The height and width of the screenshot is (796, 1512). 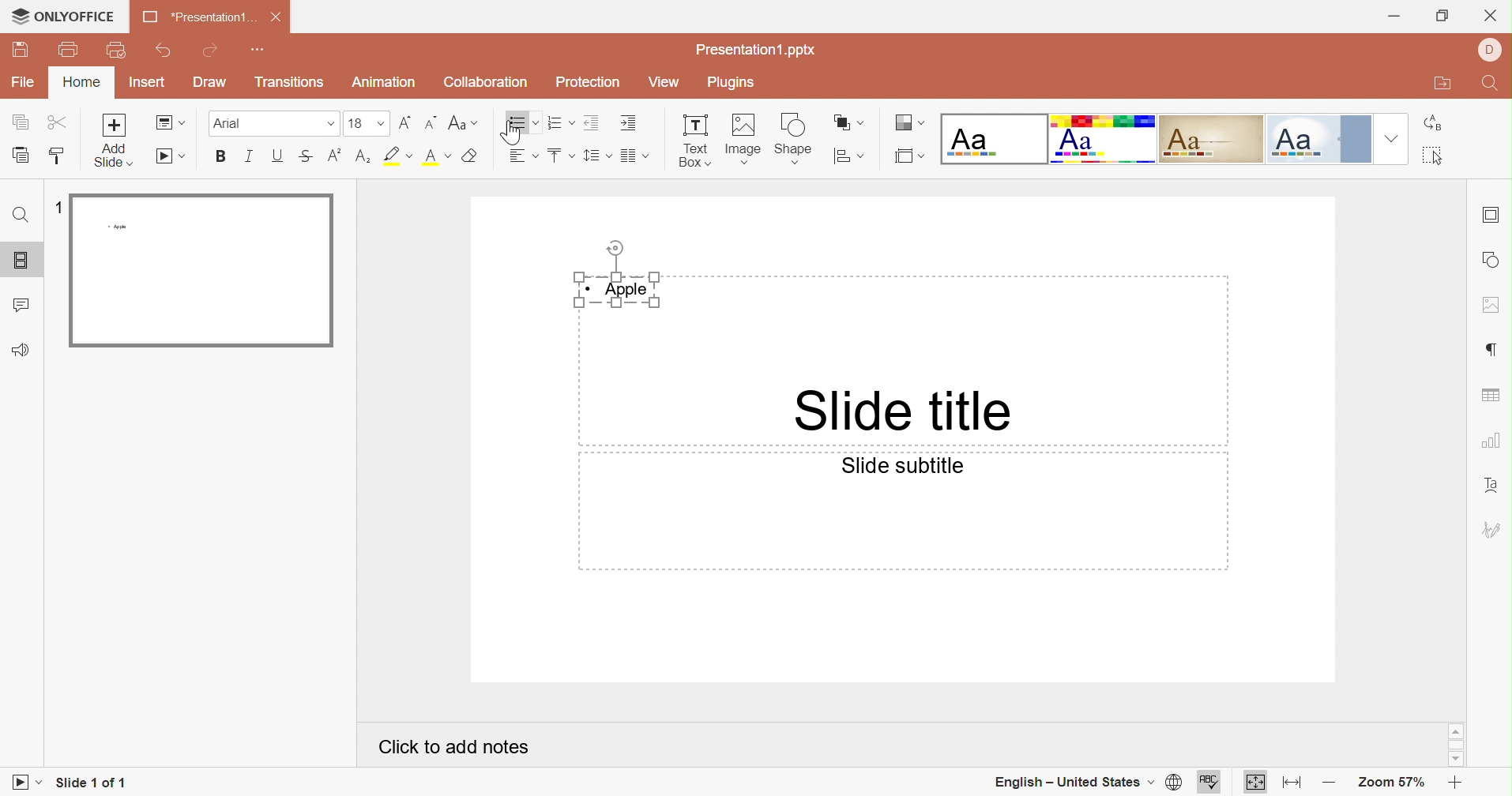 What do you see at coordinates (1390, 783) in the screenshot?
I see `Zoom 57%` at bounding box center [1390, 783].